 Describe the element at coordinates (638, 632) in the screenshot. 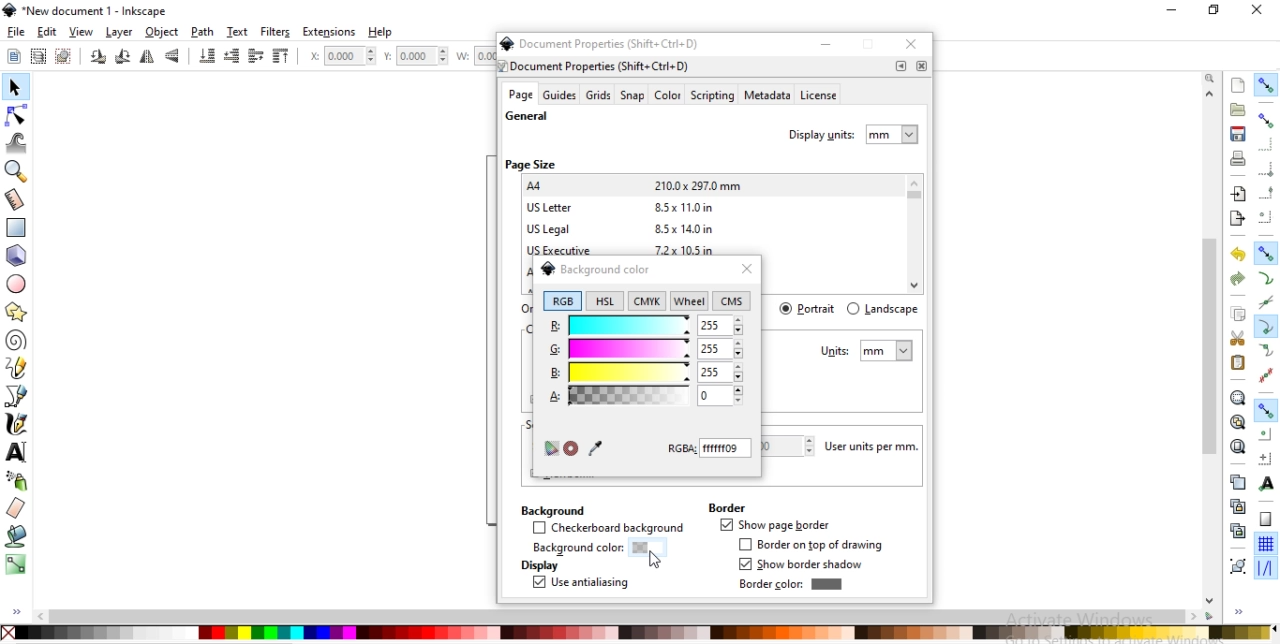

I see `color` at that location.